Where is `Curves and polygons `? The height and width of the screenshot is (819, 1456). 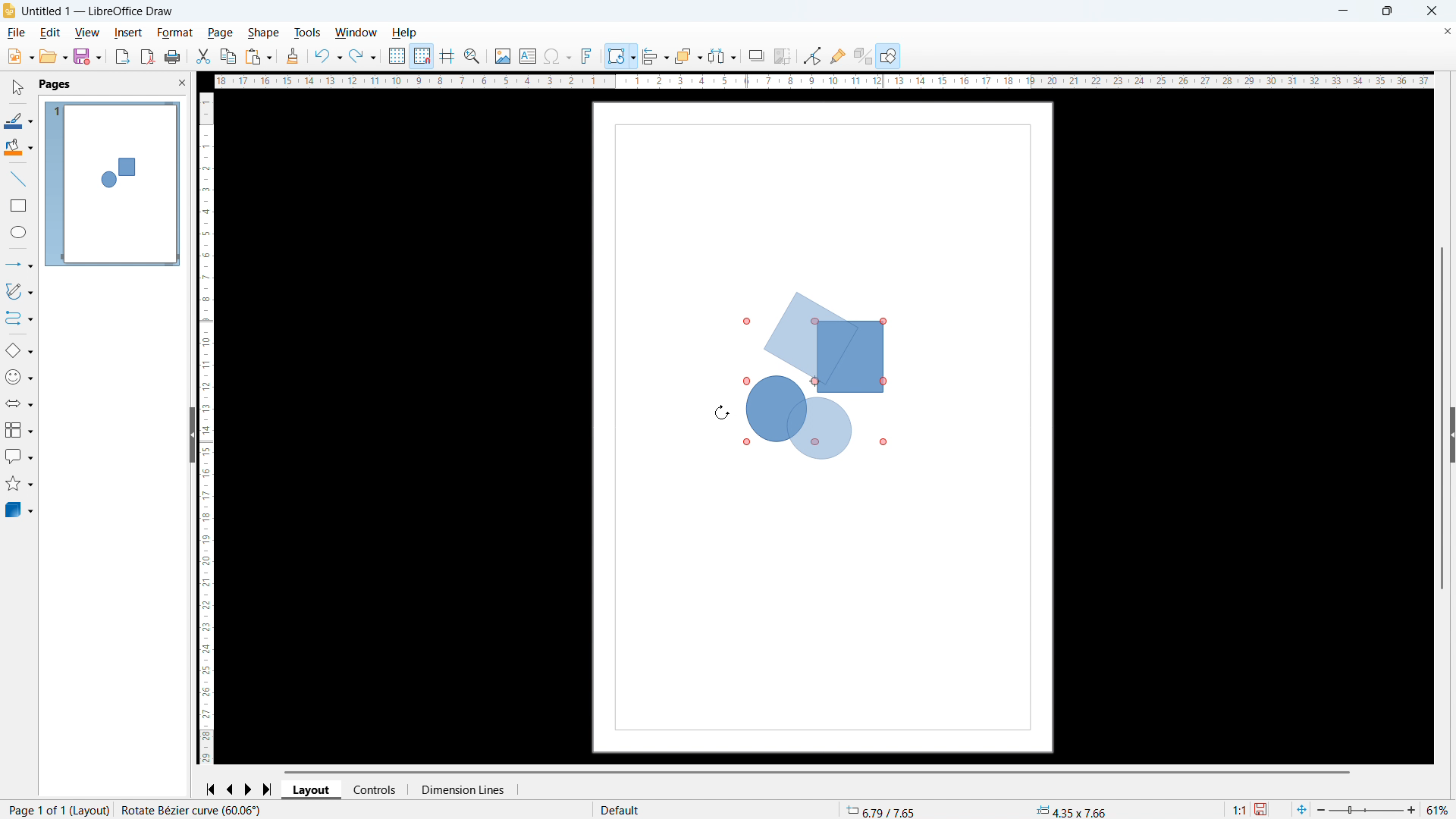
Curves and polygons  is located at coordinates (20, 291).